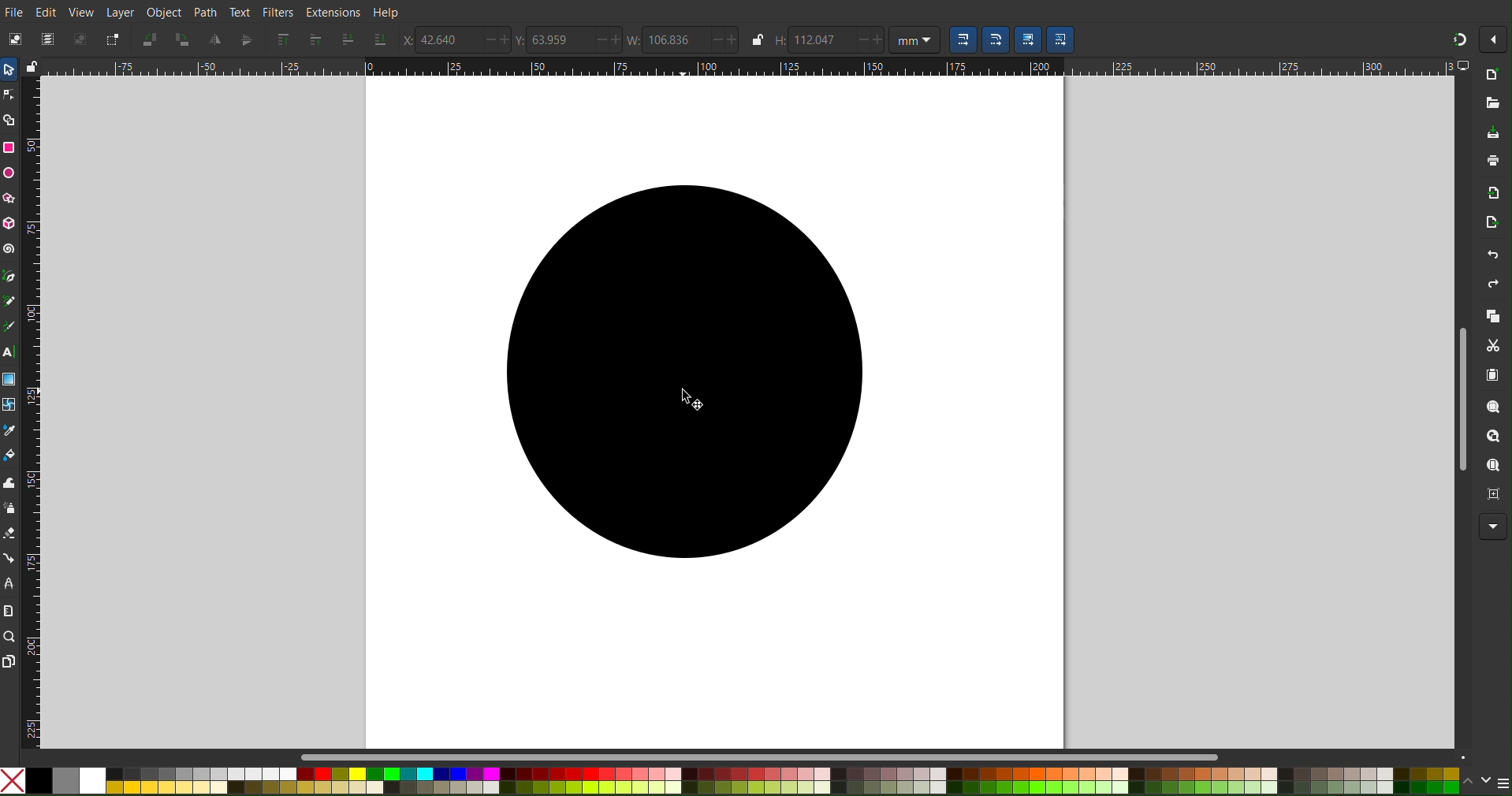 Image resolution: width=1512 pixels, height=796 pixels. What do you see at coordinates (1493, 75) in the screenshot?
I see `New` at bounding box center [1493, 75].